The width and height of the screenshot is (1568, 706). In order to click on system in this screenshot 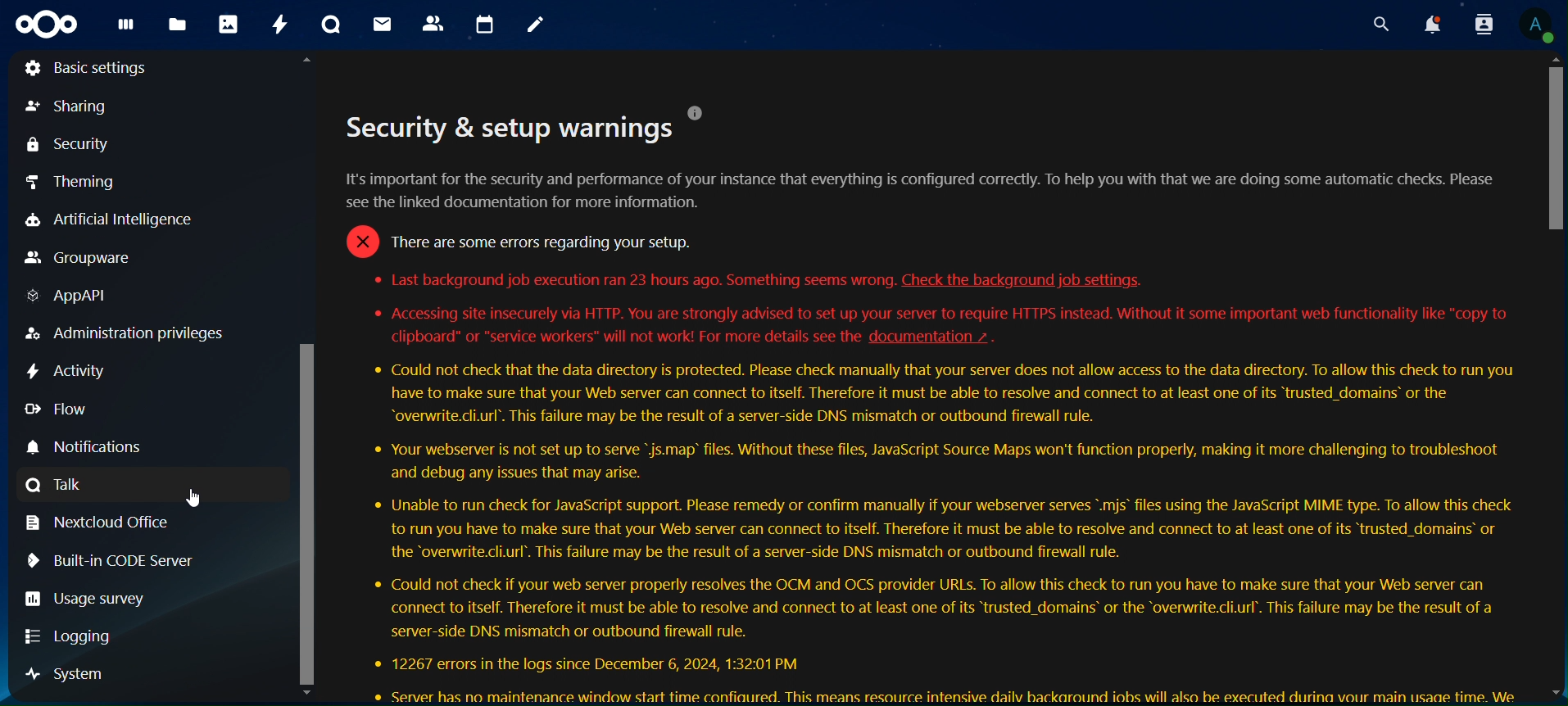, I will do `click(68, 674)`.